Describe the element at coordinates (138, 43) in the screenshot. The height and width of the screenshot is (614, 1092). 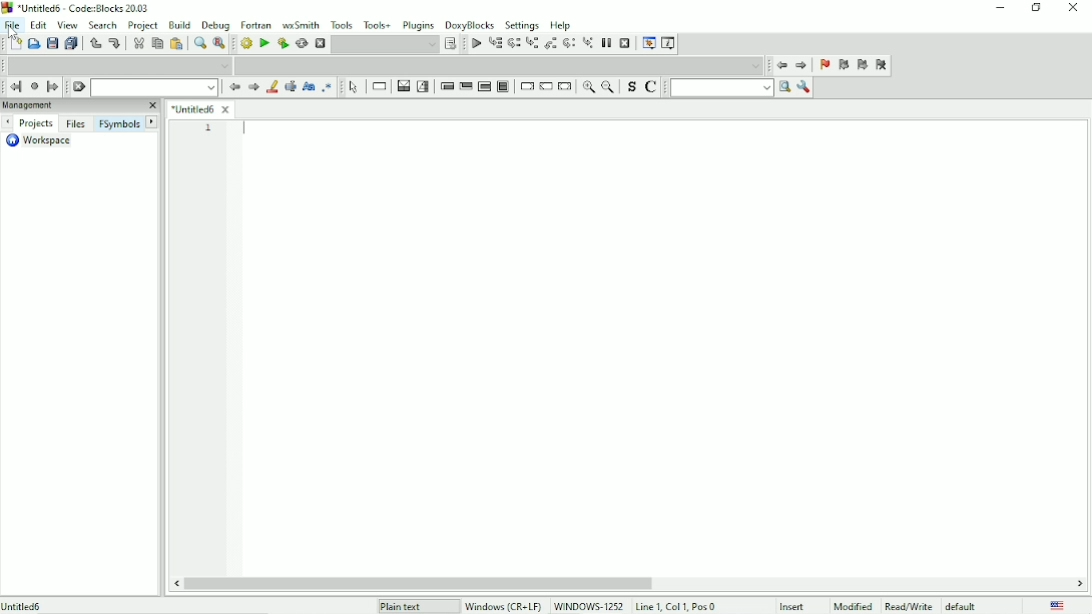
I see `Cut` at that location.